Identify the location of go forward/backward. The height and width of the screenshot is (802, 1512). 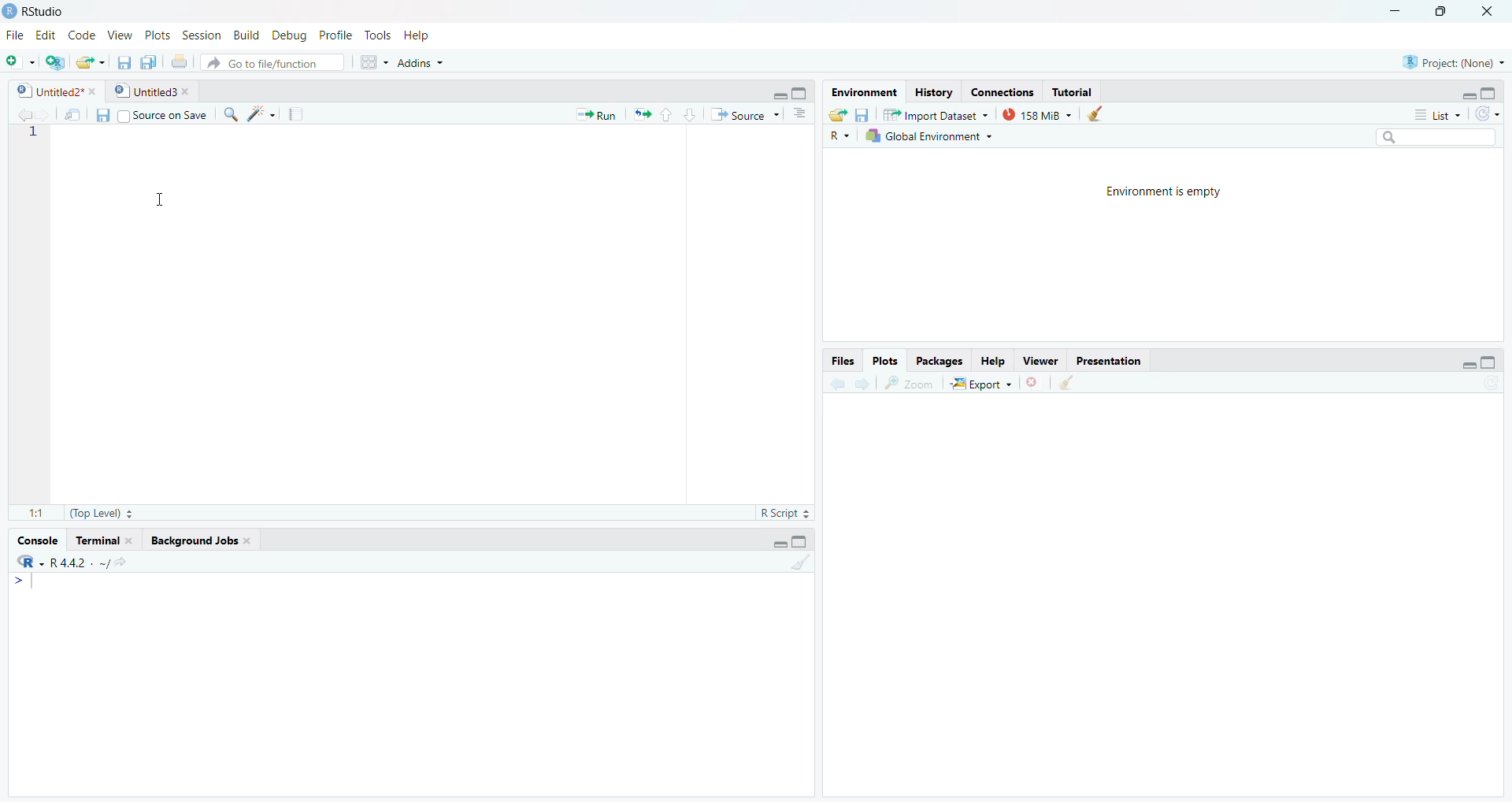
(20, 112).